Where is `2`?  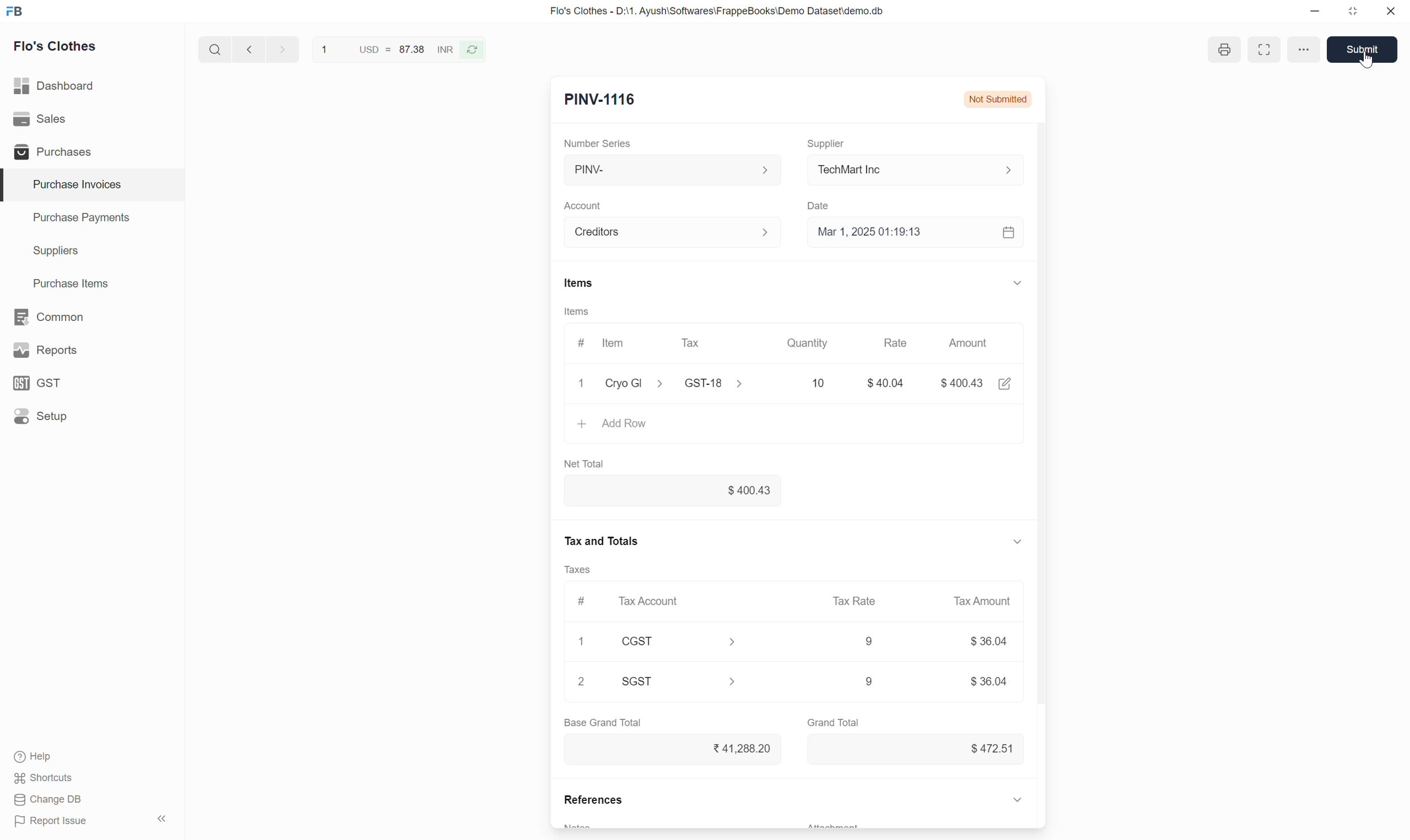
2 is located at coordinates (582, 682).